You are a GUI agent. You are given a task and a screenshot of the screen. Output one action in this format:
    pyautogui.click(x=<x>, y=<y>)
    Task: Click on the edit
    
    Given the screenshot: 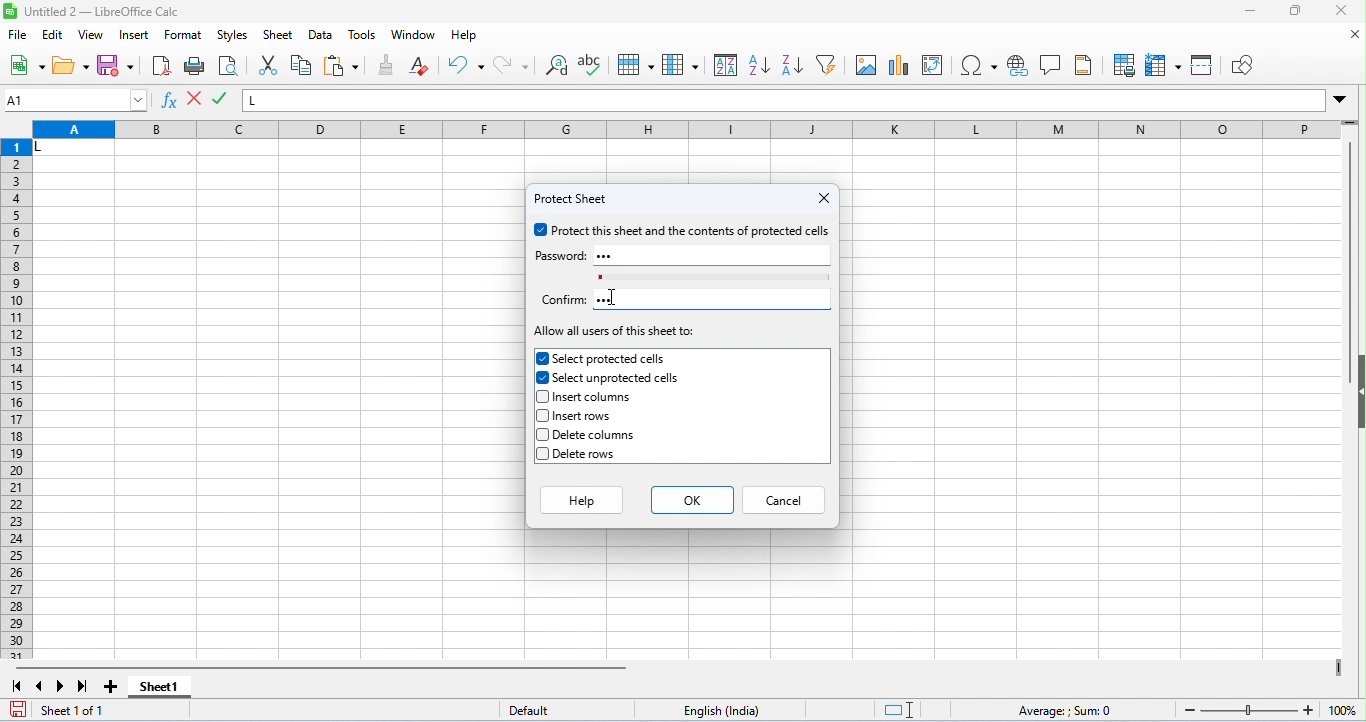 What is the action you would take?
    pyautogui.click(x=54, y=36)
    